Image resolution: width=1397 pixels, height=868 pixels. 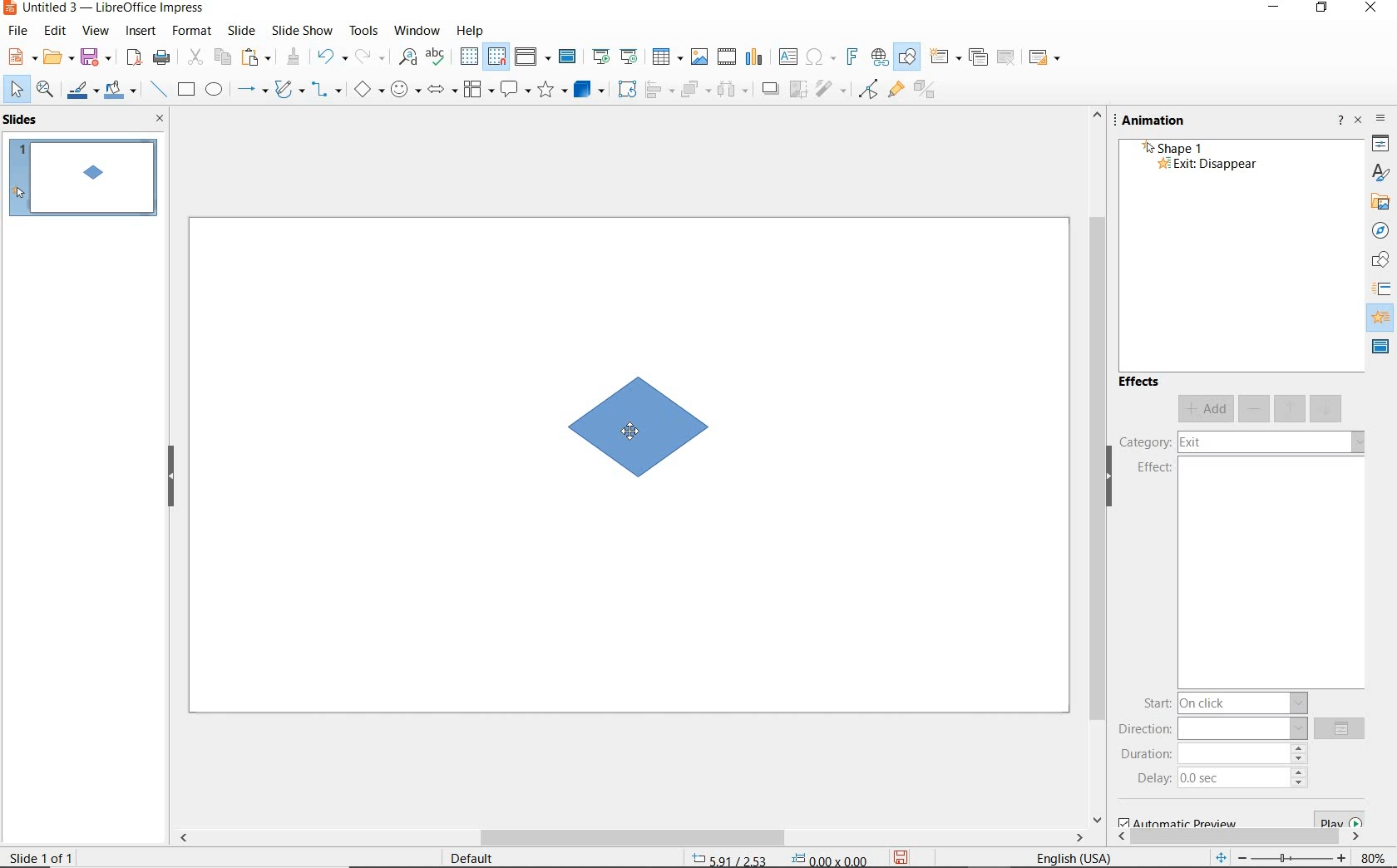 What do you see at coordinates (255, 57) in the screenshot?
I see `paste` at bounding box center [255, 57].